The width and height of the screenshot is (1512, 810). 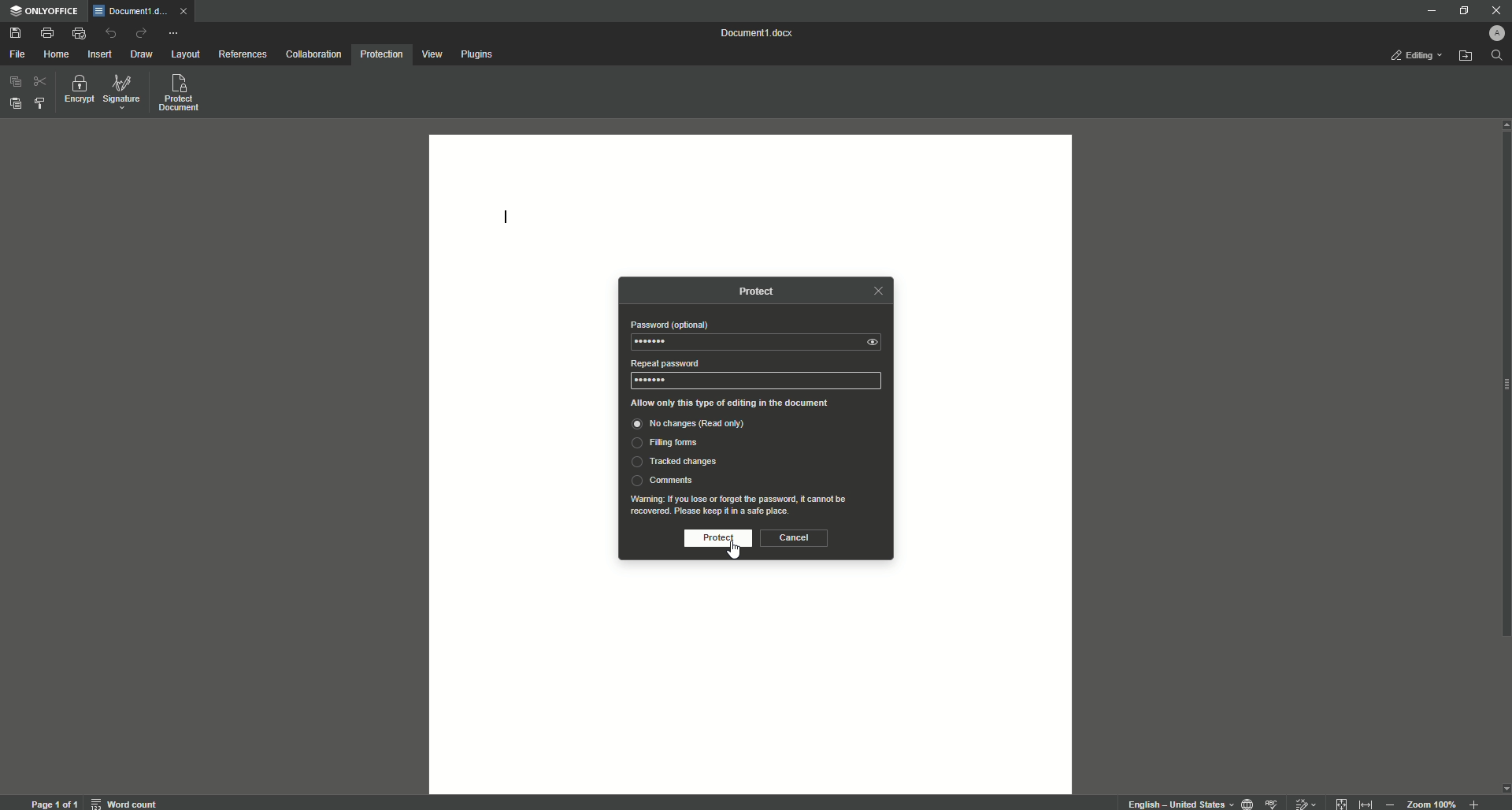 What do you see at coordinates (741, 403) in the screenshot?
I see `Allow only this type of editing in the document` at bounding box center [741, 403].